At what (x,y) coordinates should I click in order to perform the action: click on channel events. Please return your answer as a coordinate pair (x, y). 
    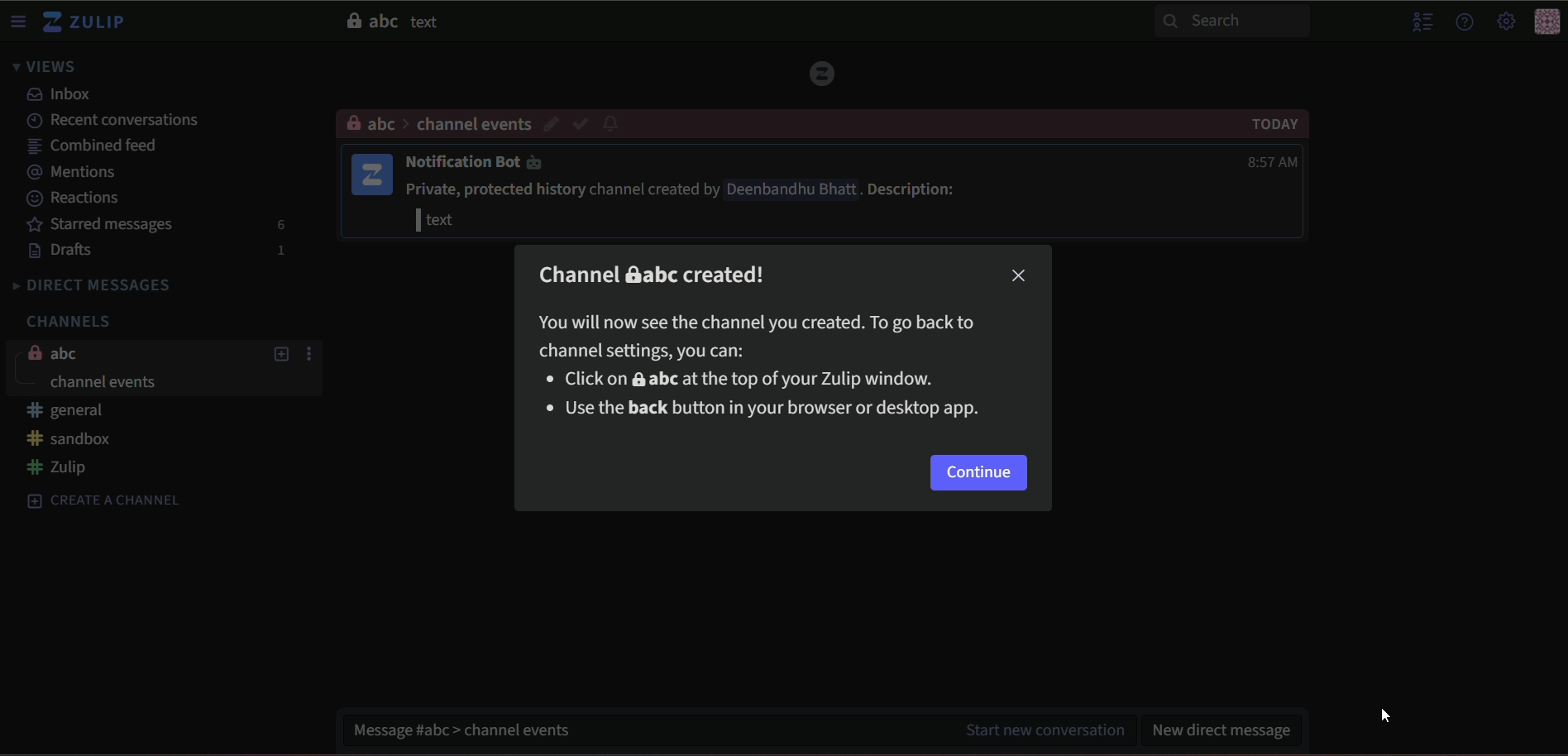
    Looking at the image, I should click on (524, 124).